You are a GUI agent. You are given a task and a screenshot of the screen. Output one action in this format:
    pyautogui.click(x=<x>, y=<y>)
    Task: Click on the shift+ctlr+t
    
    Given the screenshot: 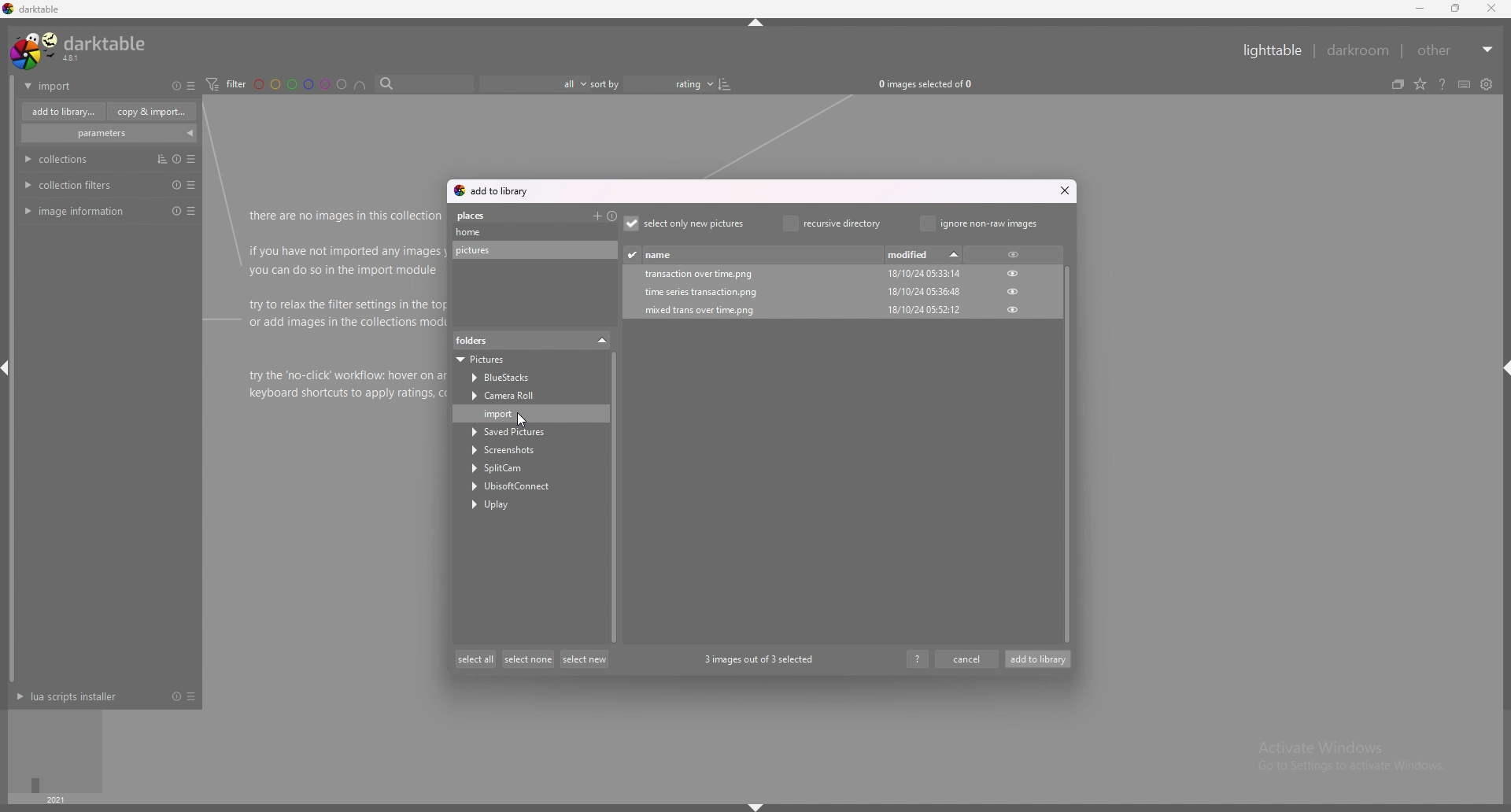 What is the action you would take?
    pyautogui.click(x=758, y=22)
    